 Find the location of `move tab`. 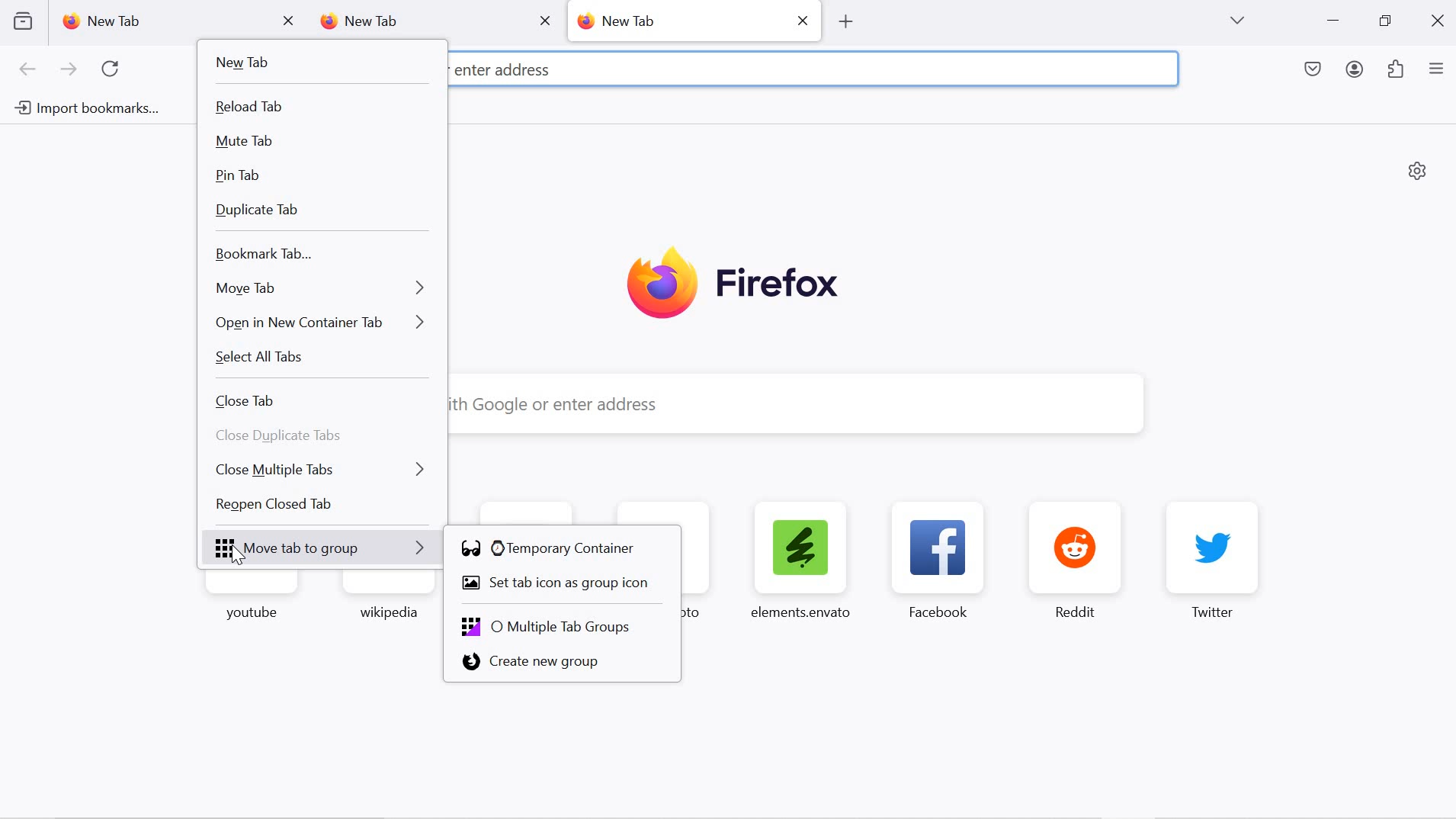

move tab is located at coordinates (319, 287).